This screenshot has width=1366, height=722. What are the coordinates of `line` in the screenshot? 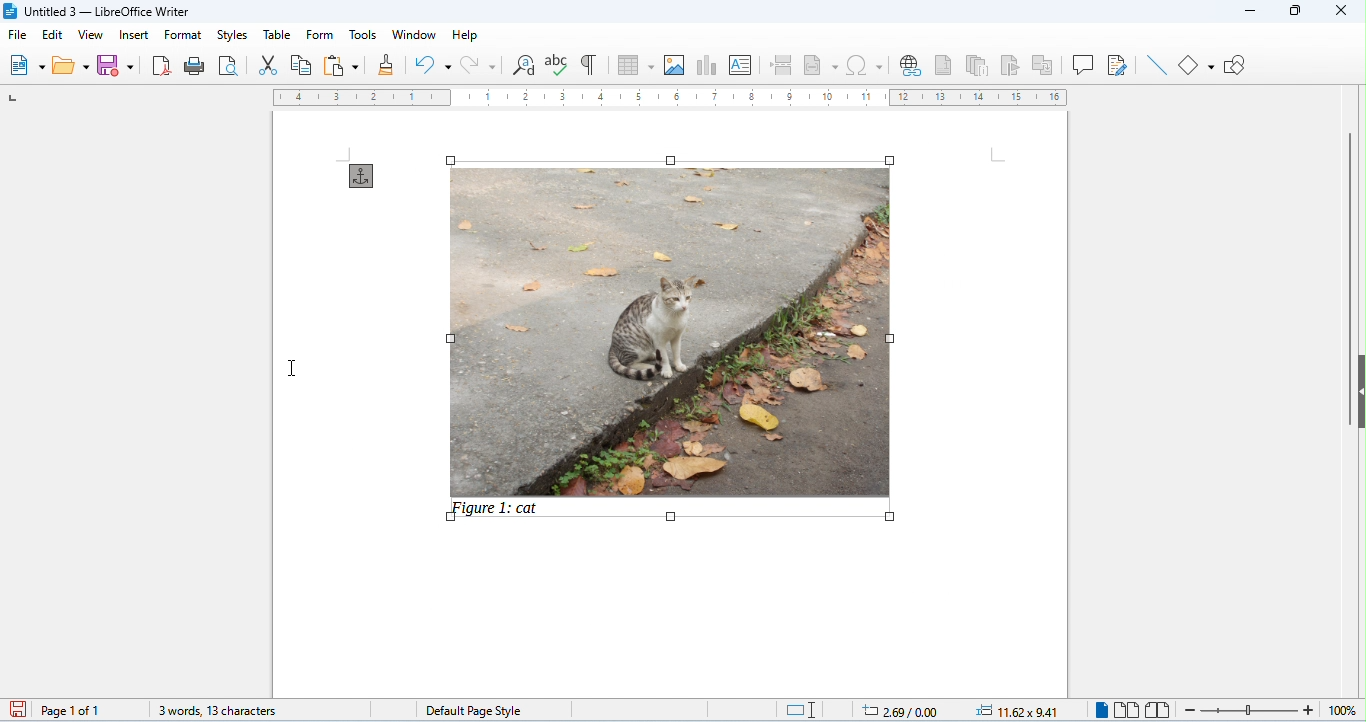 It's located at (1155, 65).